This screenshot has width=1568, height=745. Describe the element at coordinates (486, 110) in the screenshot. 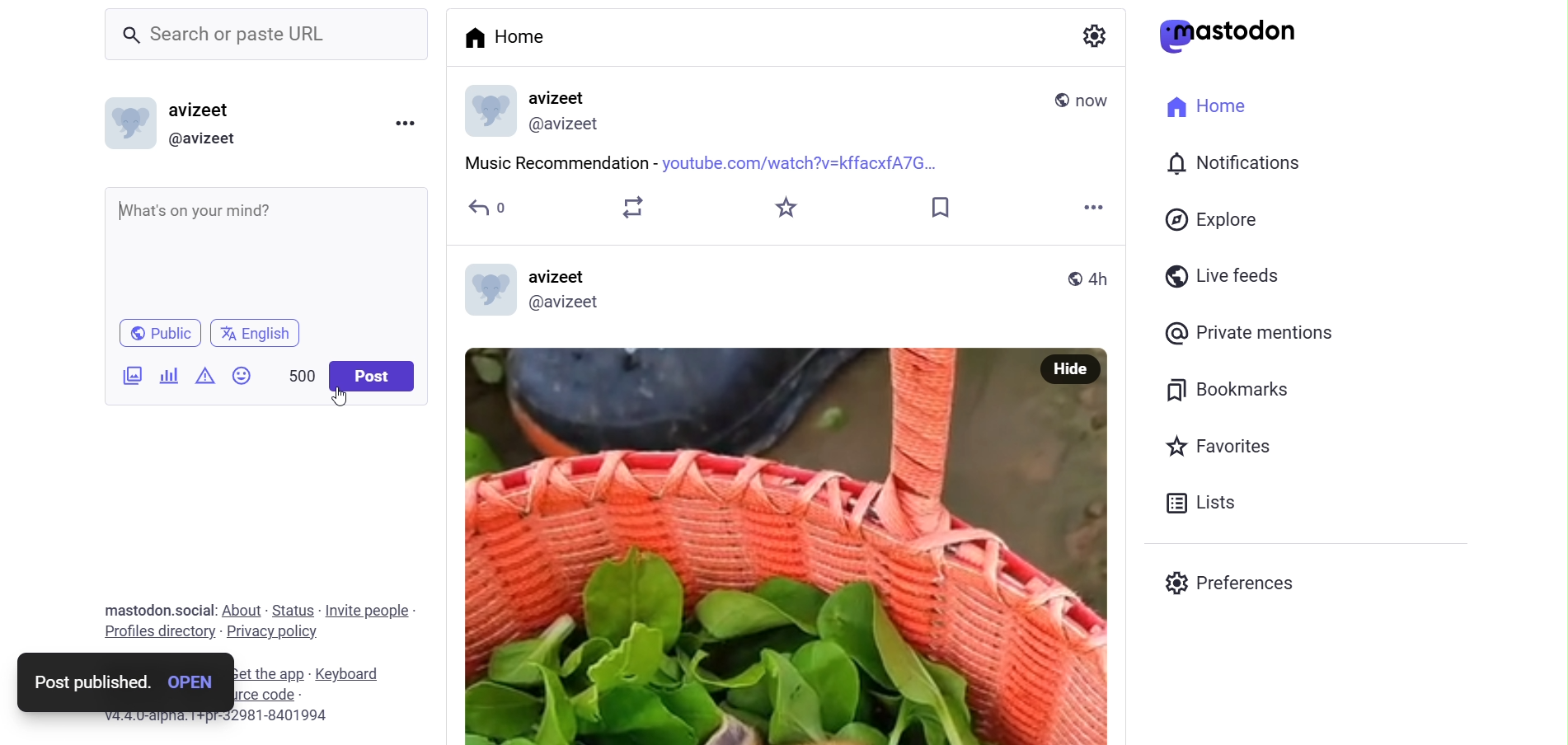

I see `display picture` at that location.